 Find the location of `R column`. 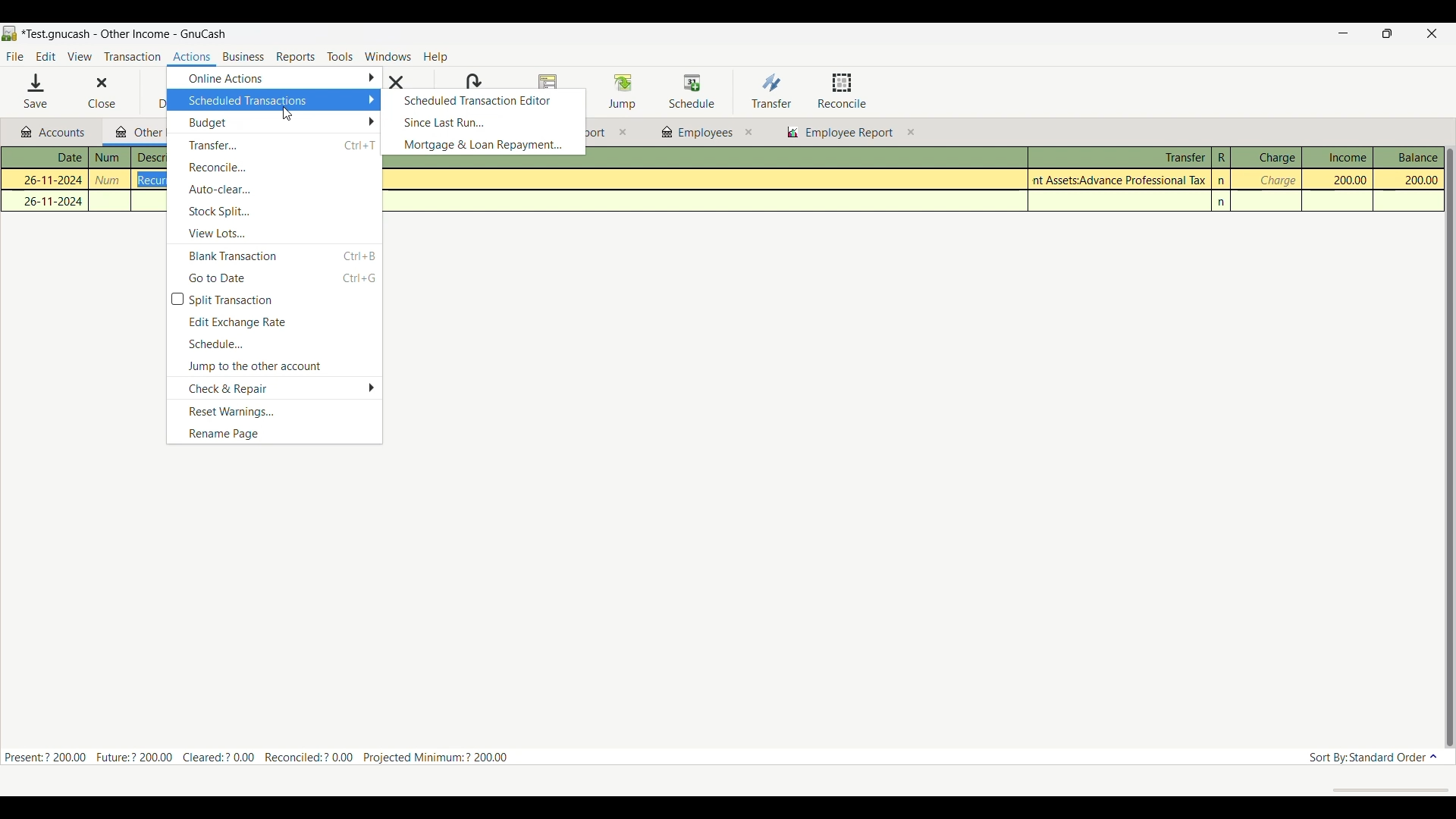

R column is located at coordinates (1220, 158).